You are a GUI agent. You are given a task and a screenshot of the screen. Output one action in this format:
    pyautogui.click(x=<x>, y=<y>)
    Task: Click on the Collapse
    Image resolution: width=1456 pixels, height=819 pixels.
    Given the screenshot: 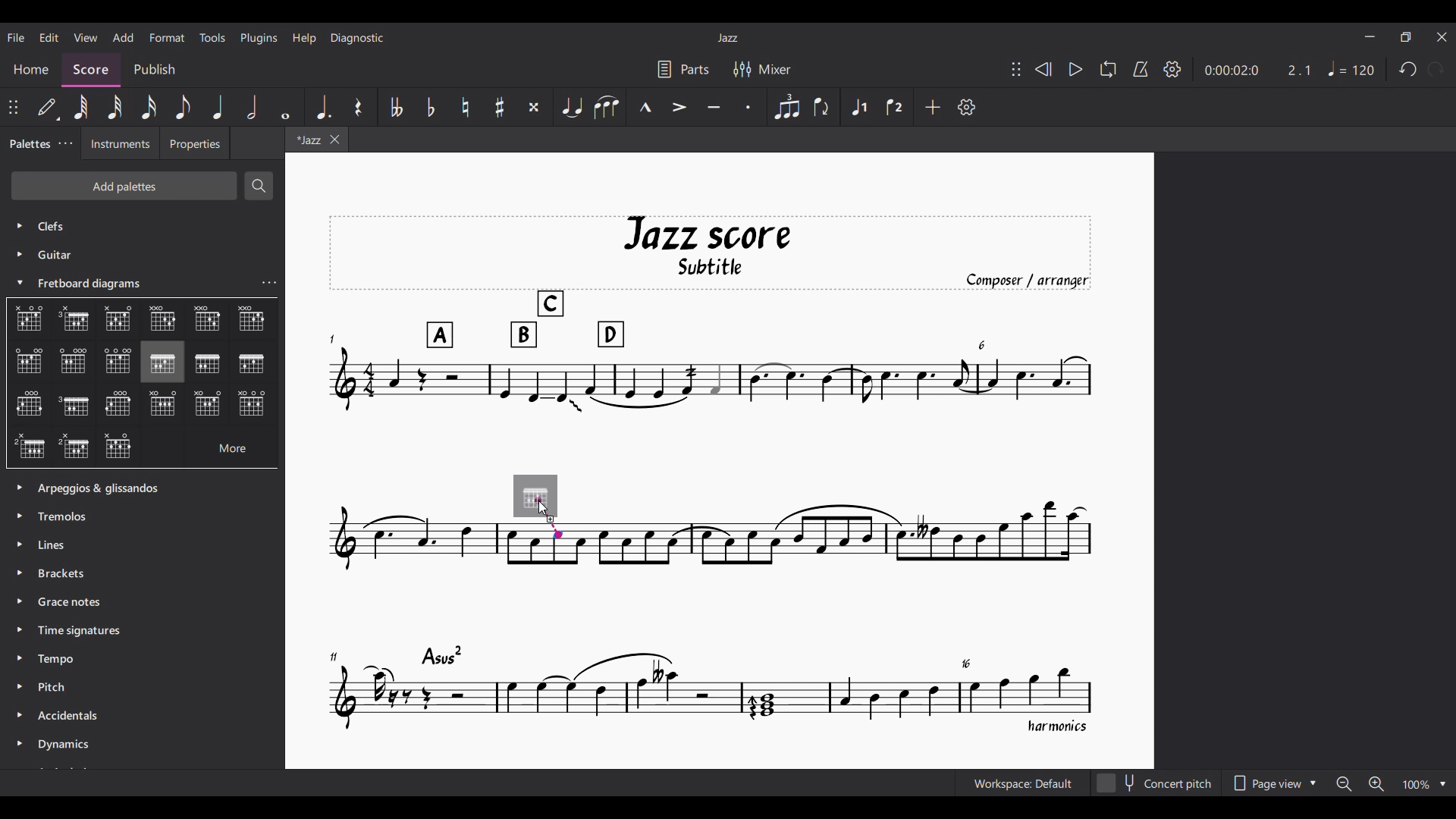 What is the action you would take?
    pyautogui.click(x=20, y=281)
    